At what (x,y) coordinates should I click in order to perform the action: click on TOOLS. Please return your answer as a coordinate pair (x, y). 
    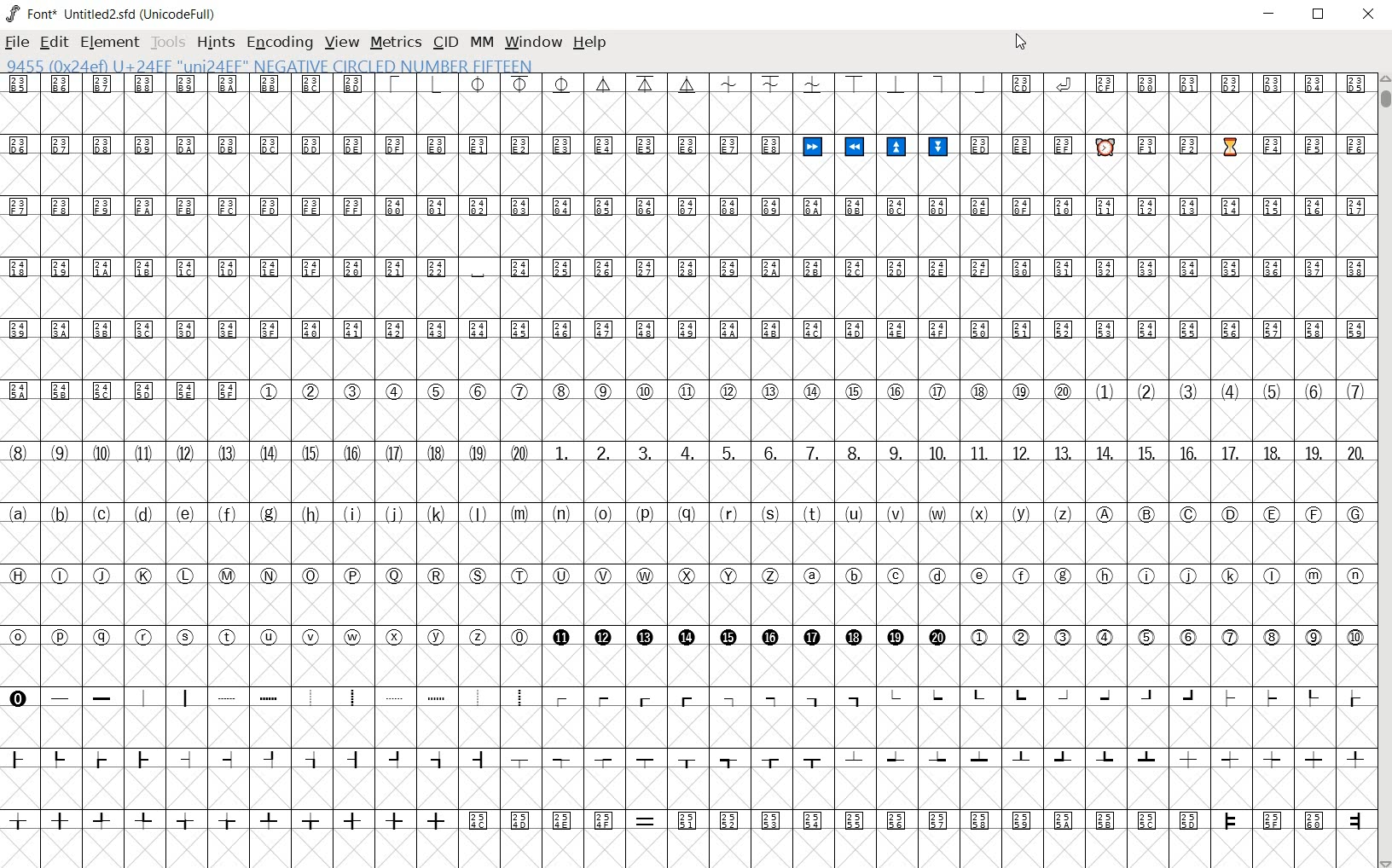
    Looking at the image, I should click on (169, 42).